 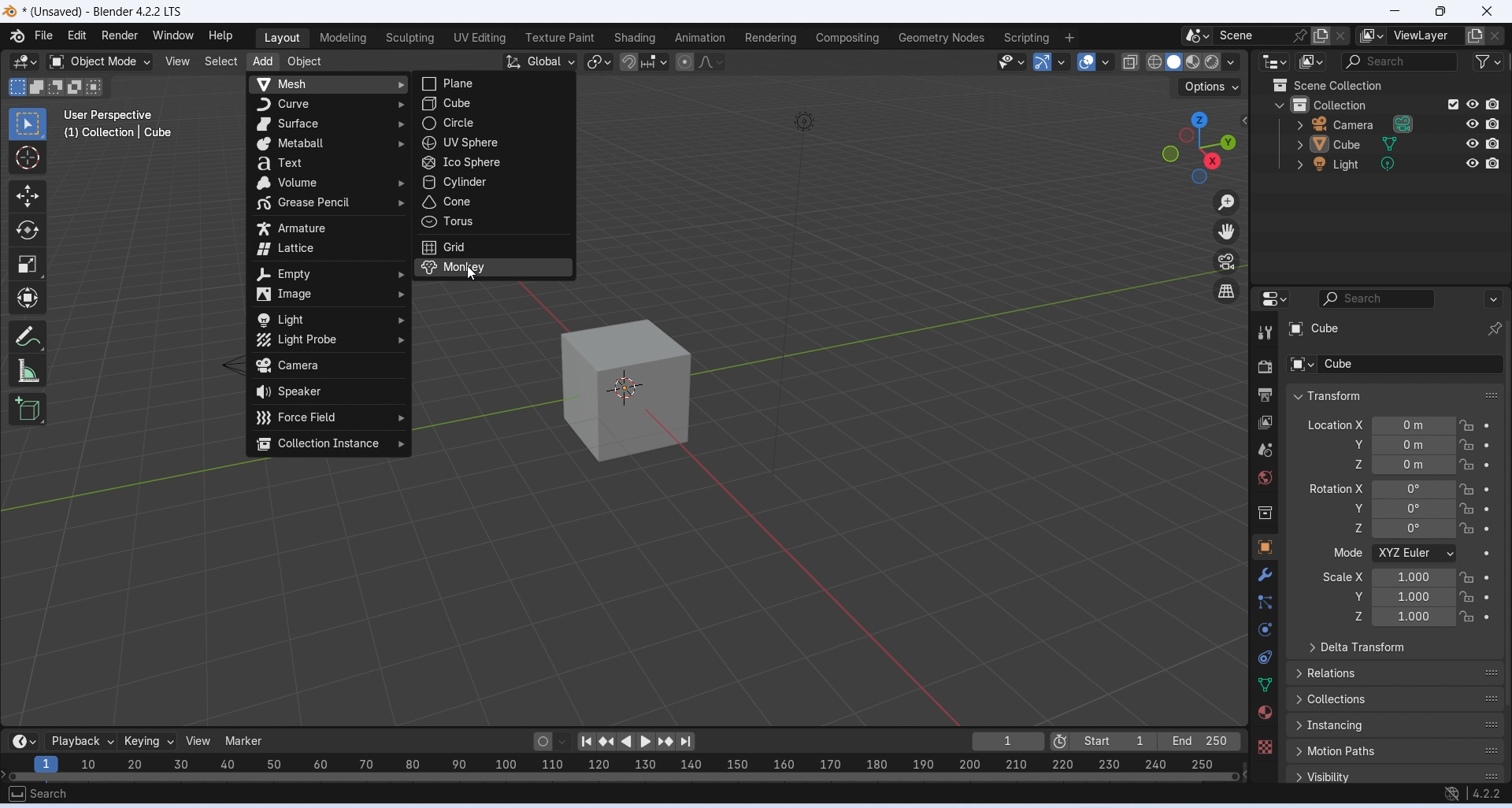 I want to click on cube, so click(x=491, y=103).